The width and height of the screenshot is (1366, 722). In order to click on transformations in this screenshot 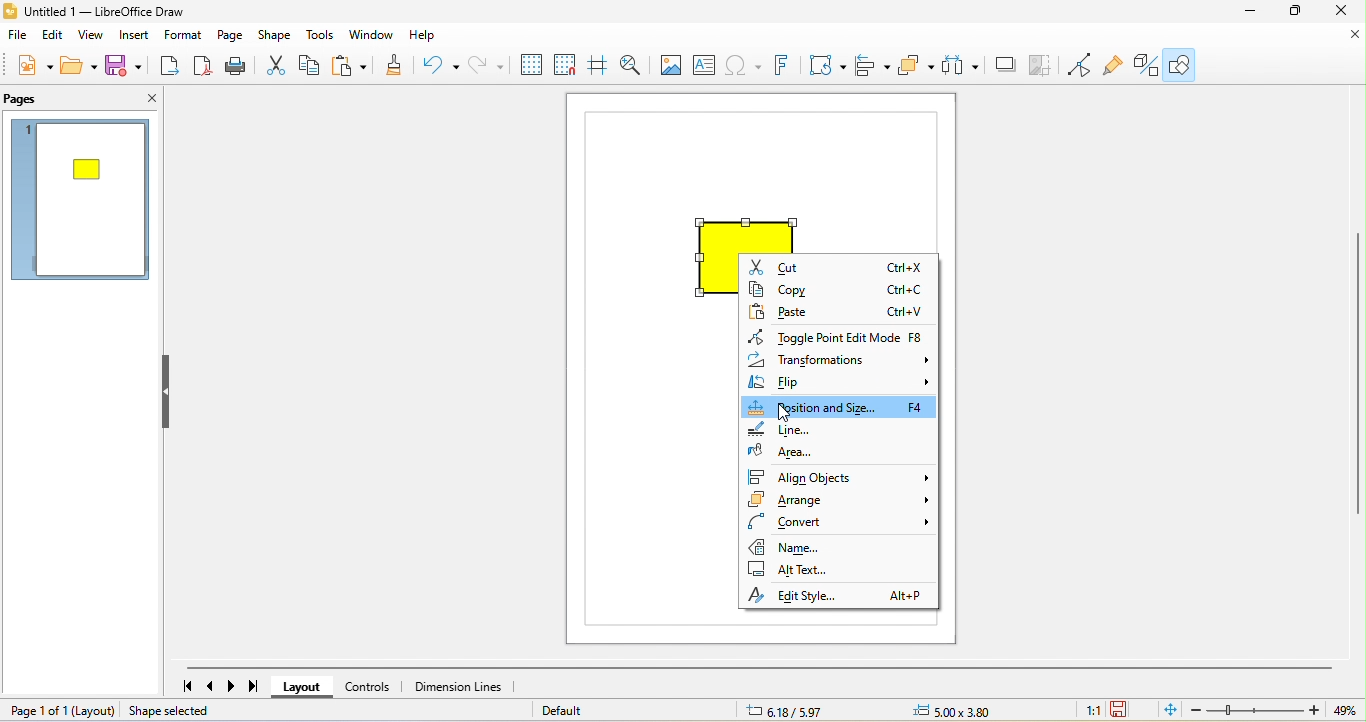, I will do `click(841, 362)`.